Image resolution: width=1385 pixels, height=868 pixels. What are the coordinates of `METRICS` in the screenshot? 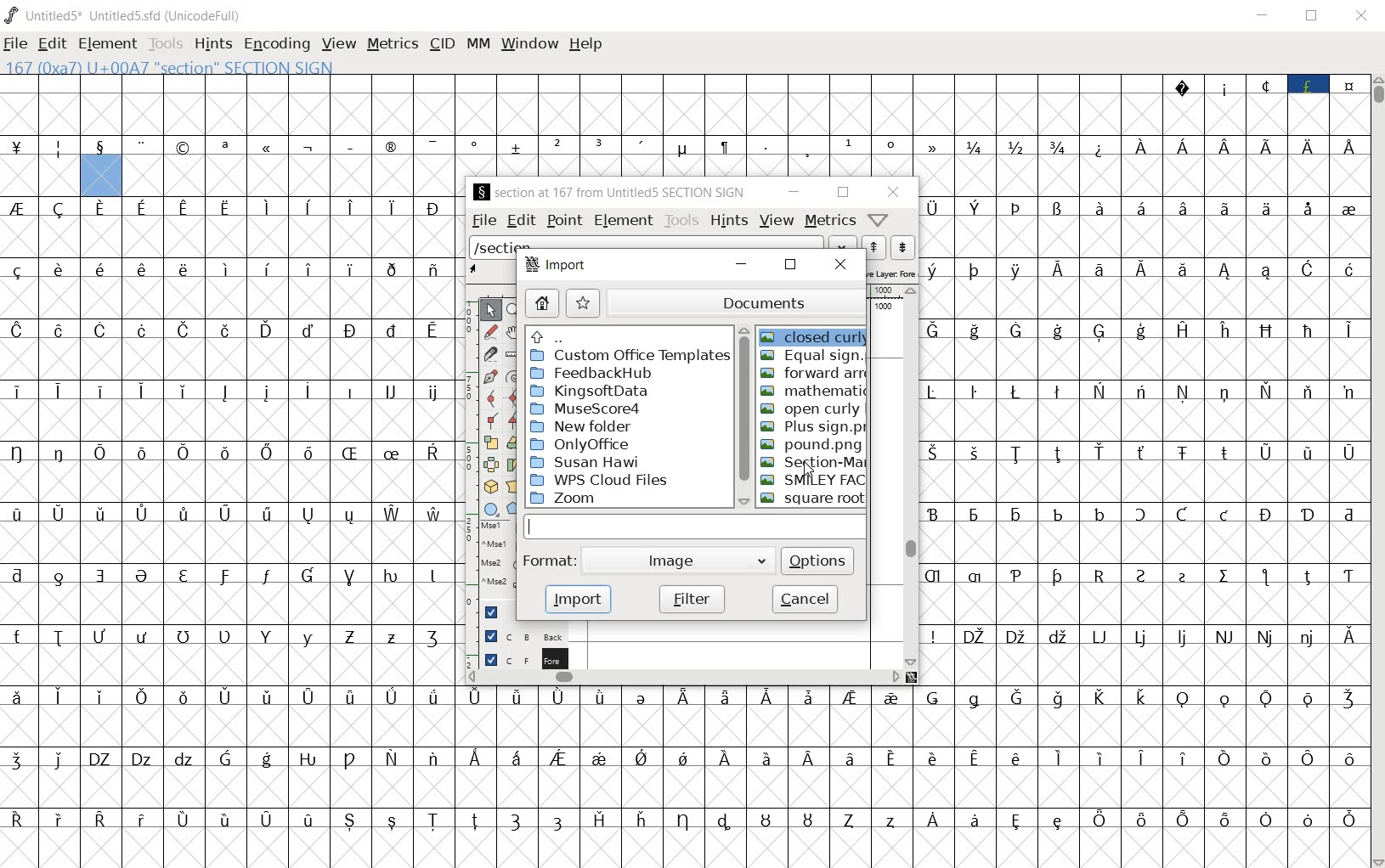 It's located at (394, 45).